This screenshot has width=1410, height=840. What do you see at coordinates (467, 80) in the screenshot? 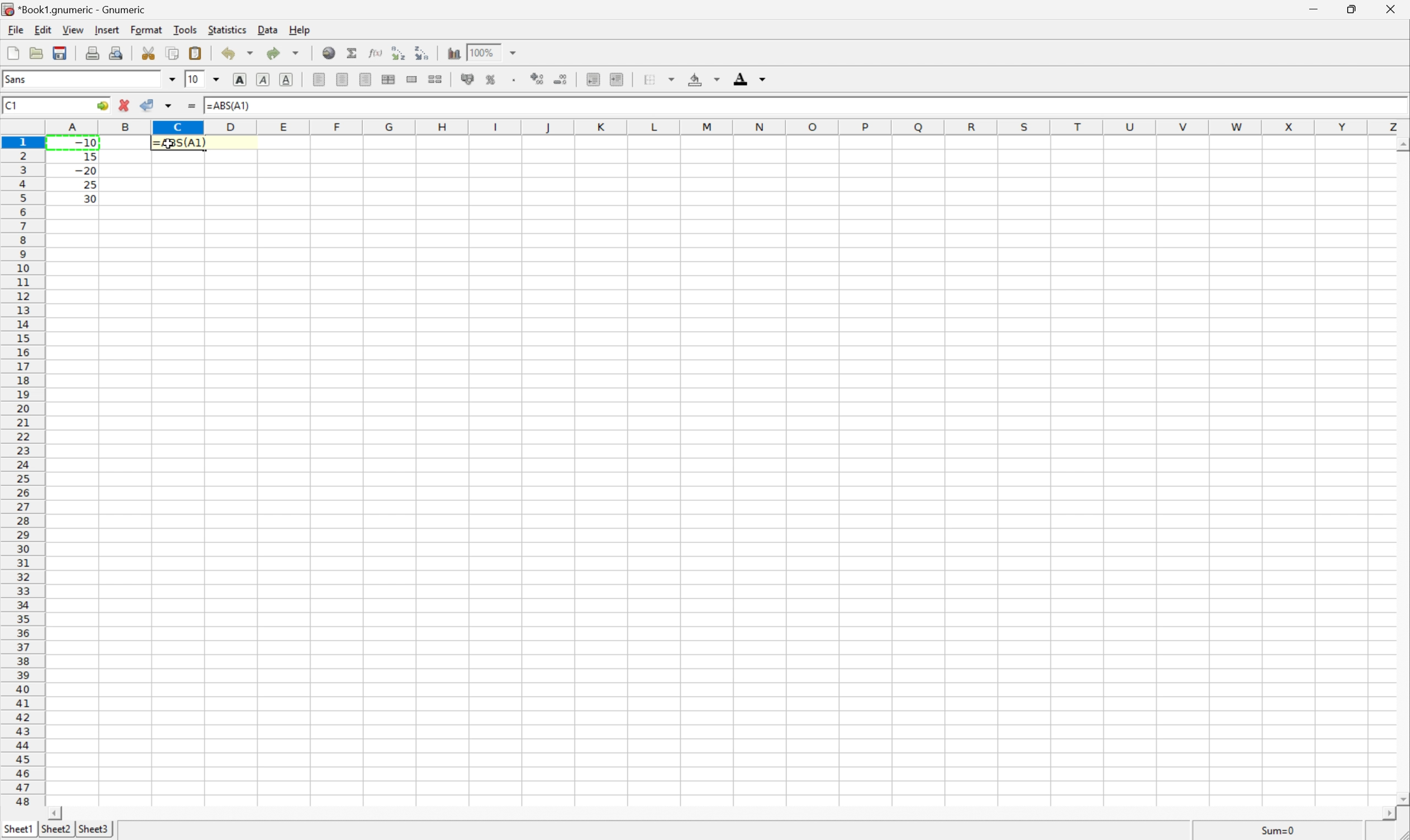
I see `Format the selection as accounting` at bounding box center [467, 80].